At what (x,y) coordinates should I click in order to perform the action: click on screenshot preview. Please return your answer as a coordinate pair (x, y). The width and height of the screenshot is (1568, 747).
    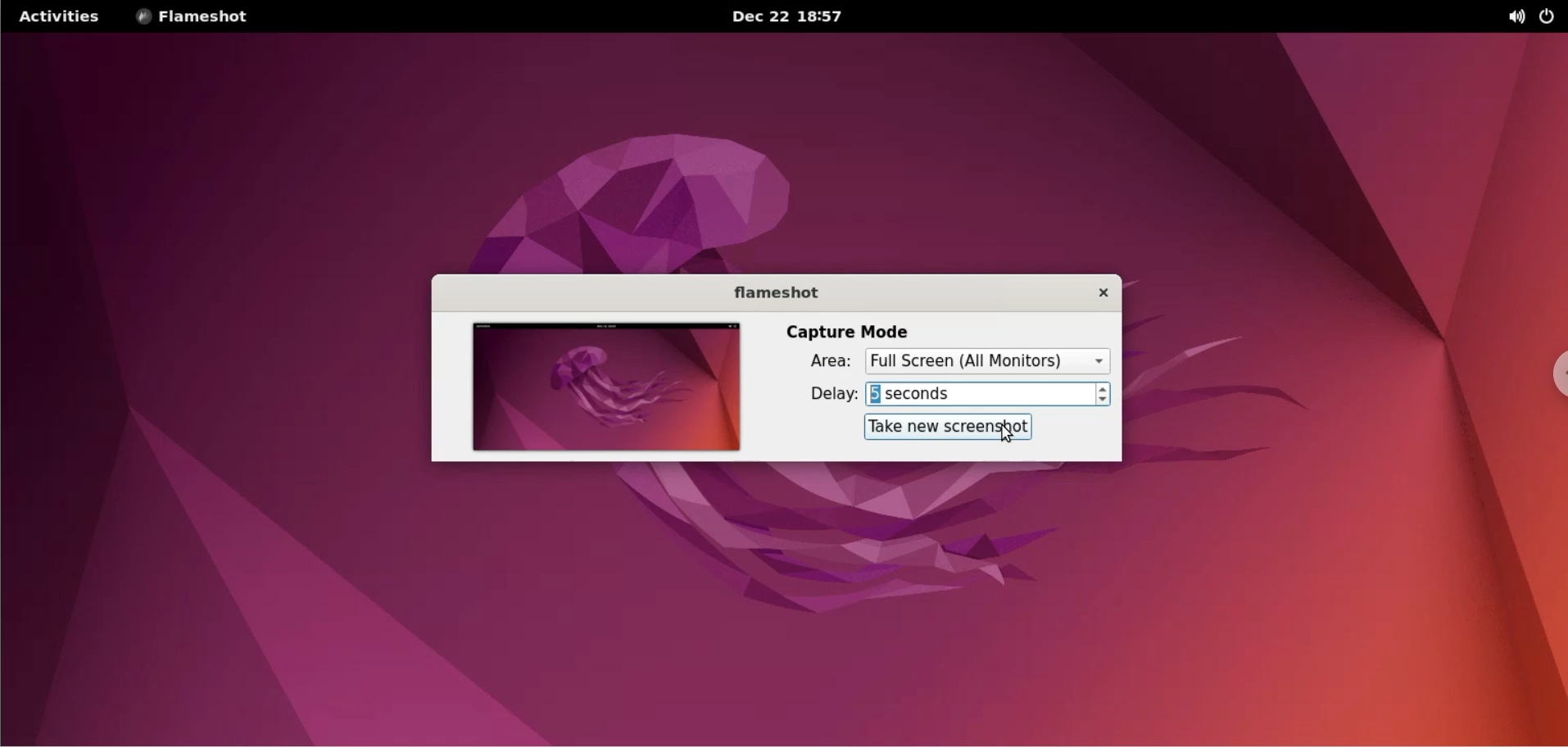
    Looking at the image, I should click on (602, 388).